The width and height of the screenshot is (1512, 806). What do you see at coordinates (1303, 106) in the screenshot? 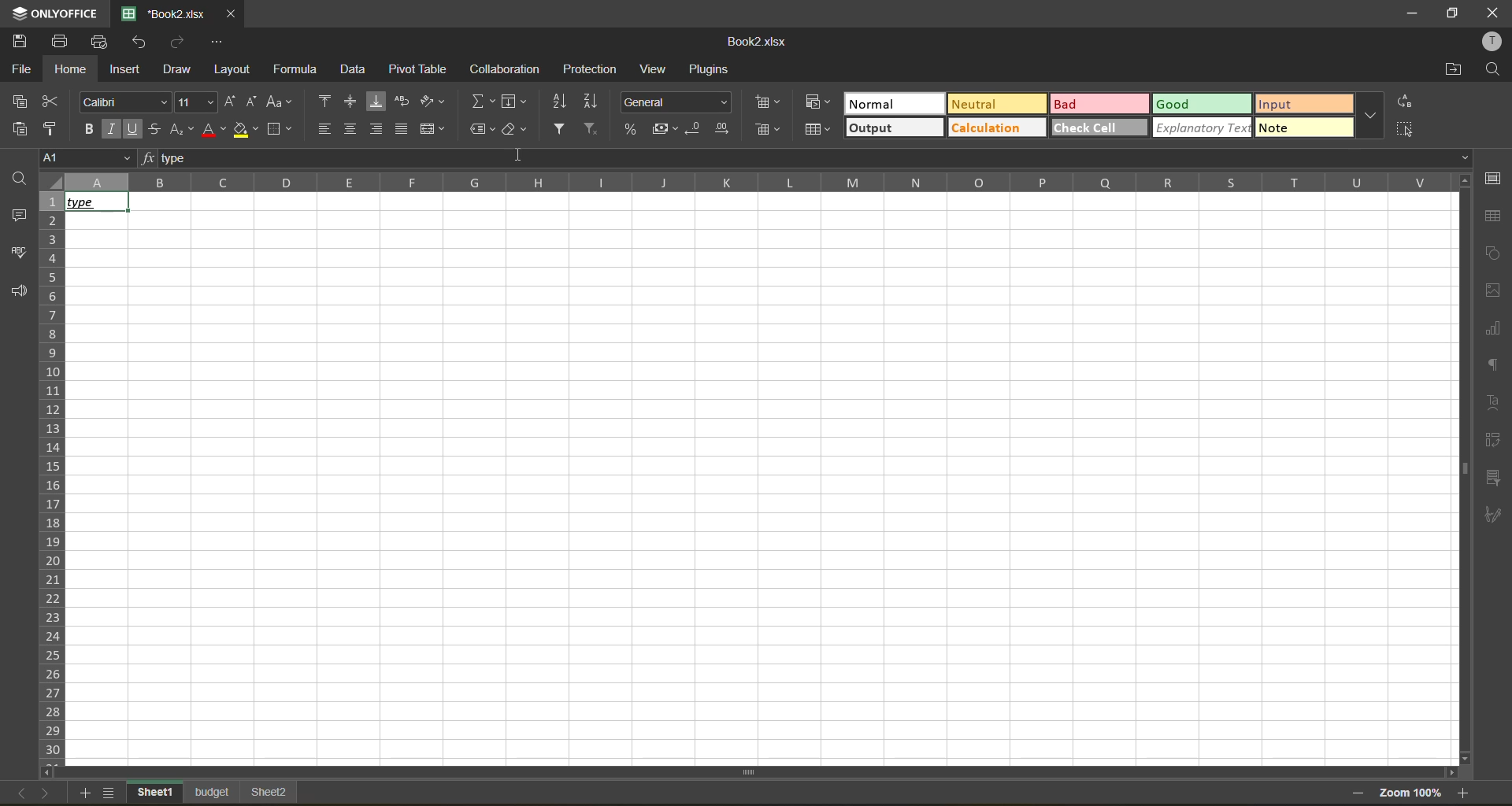
I see `input` at bounding box center [1303, 106].